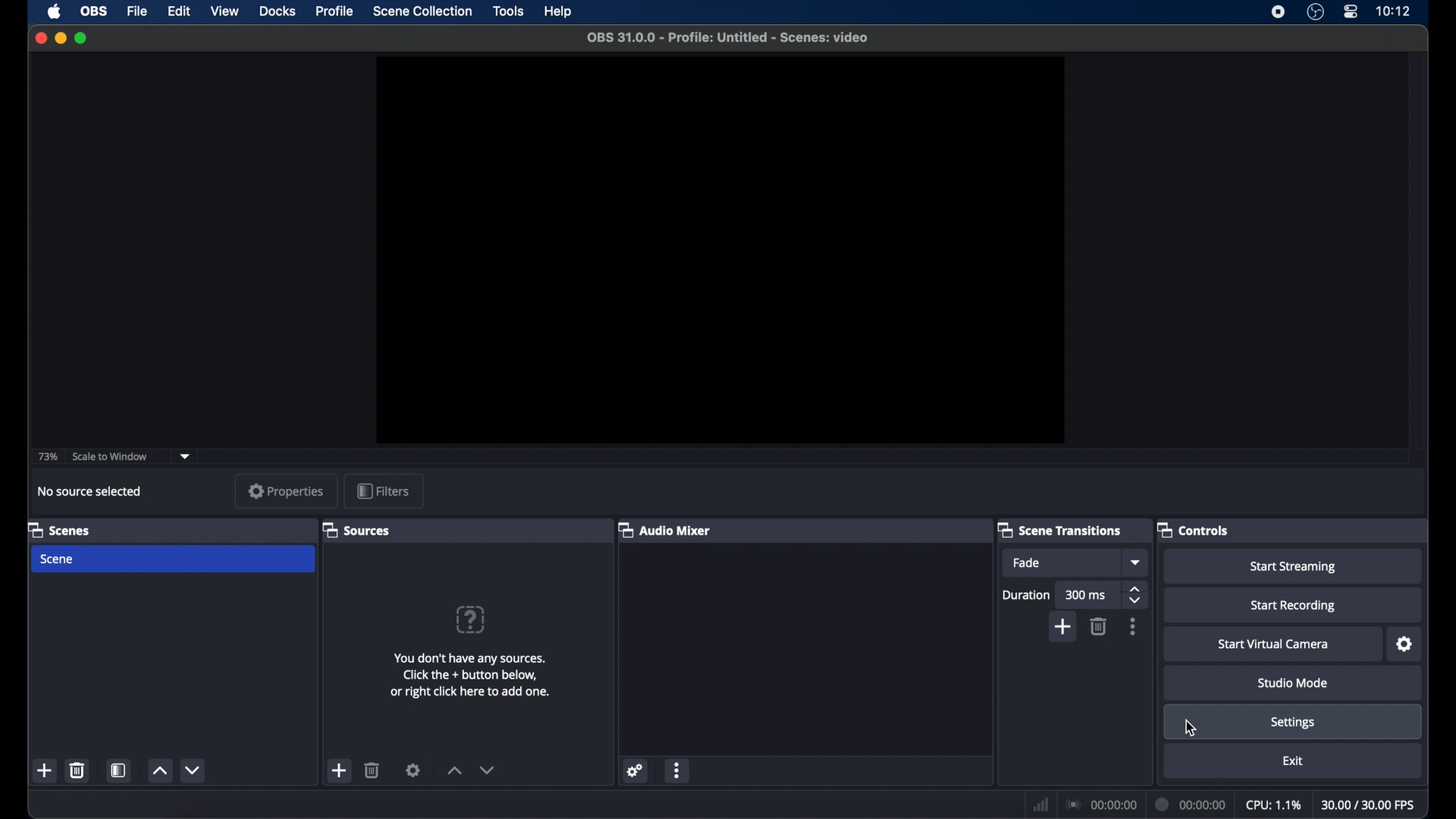 The height and width of the screenshot is (819, 1456). Describe the element at coordinates (192, 772) in the screenshot. I see `decrement` at that location.